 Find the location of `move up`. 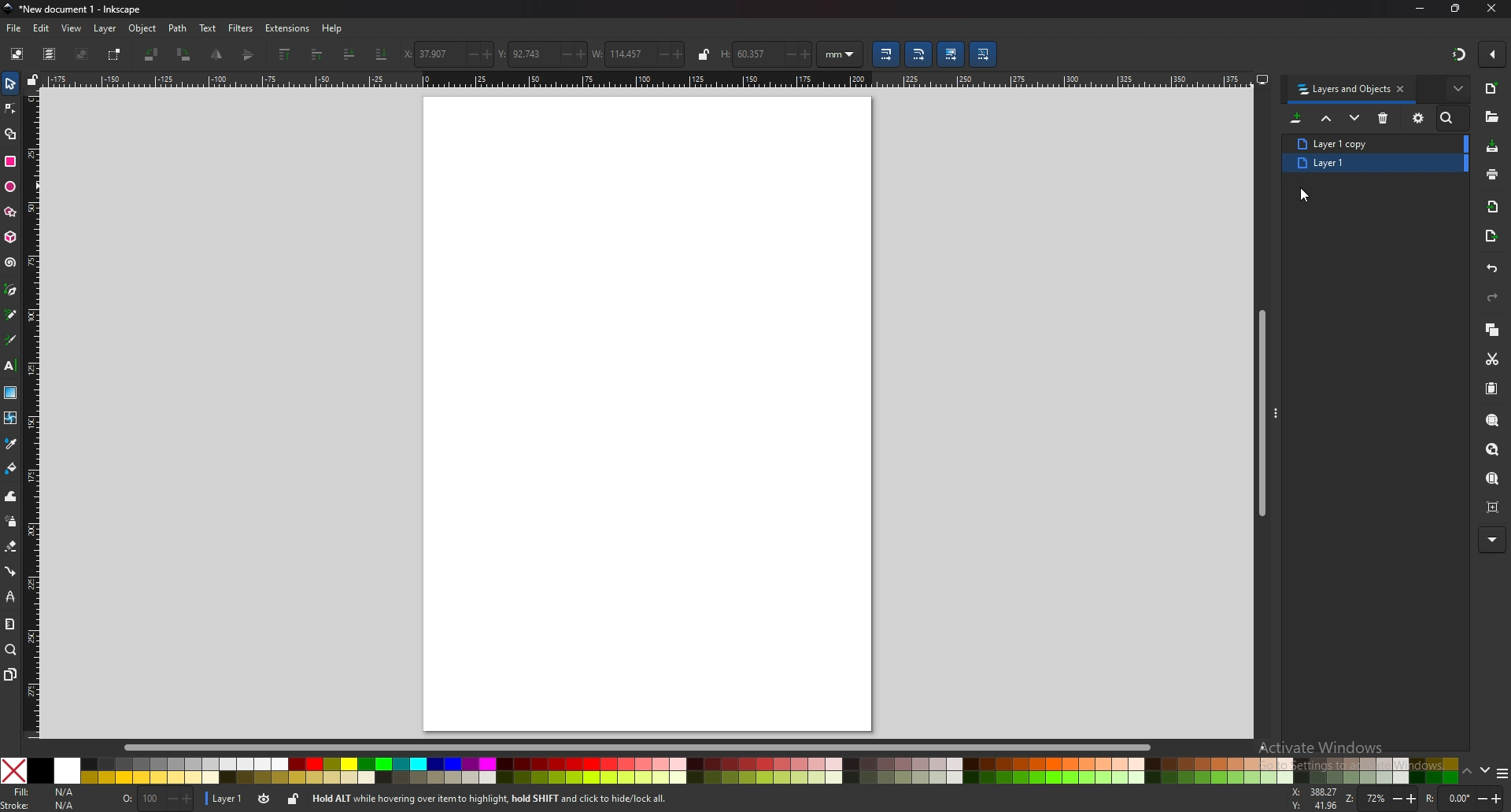

move up is located at coordinates (1327, 117).